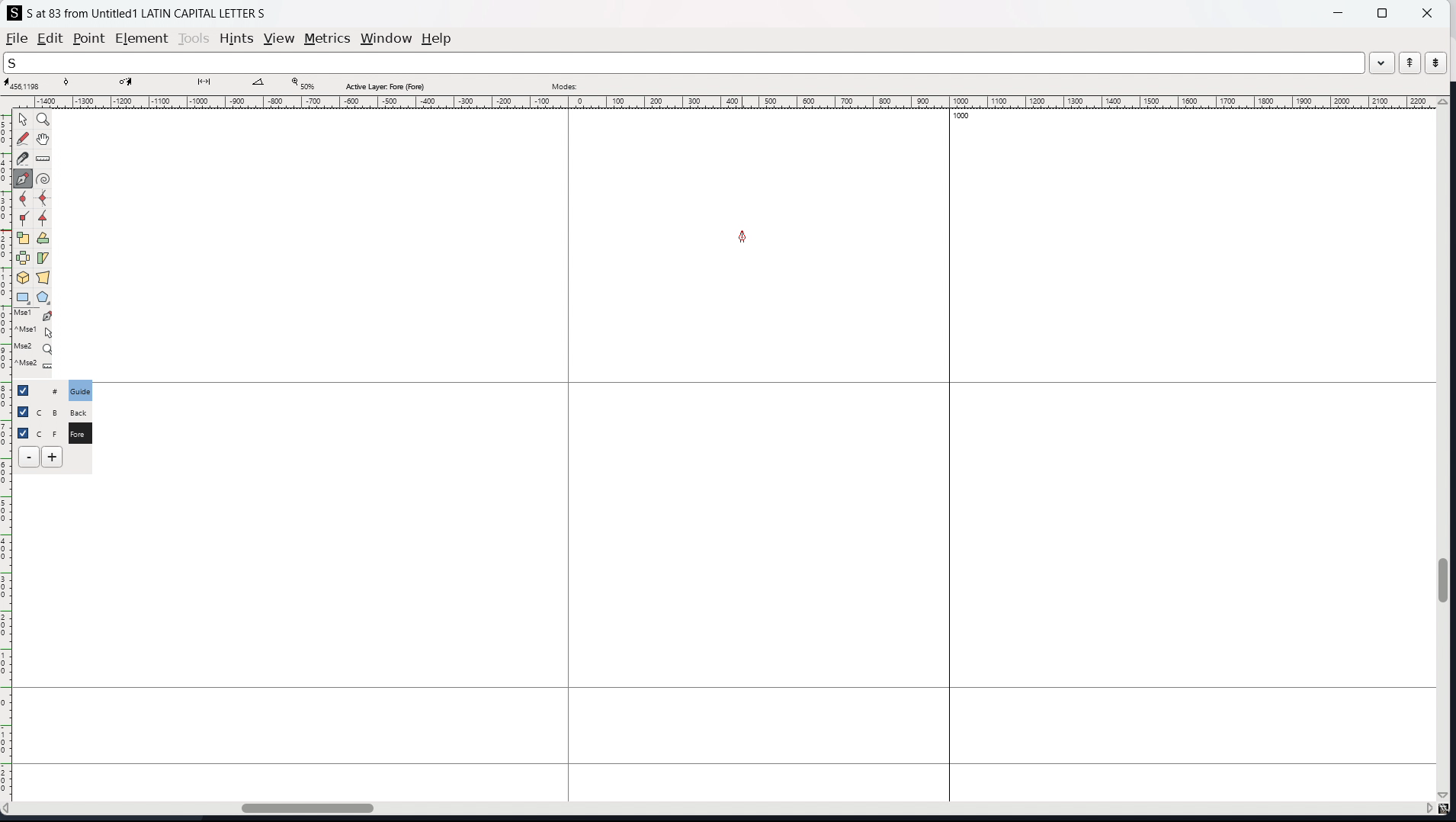  I want to click on file, so click(17, 38).